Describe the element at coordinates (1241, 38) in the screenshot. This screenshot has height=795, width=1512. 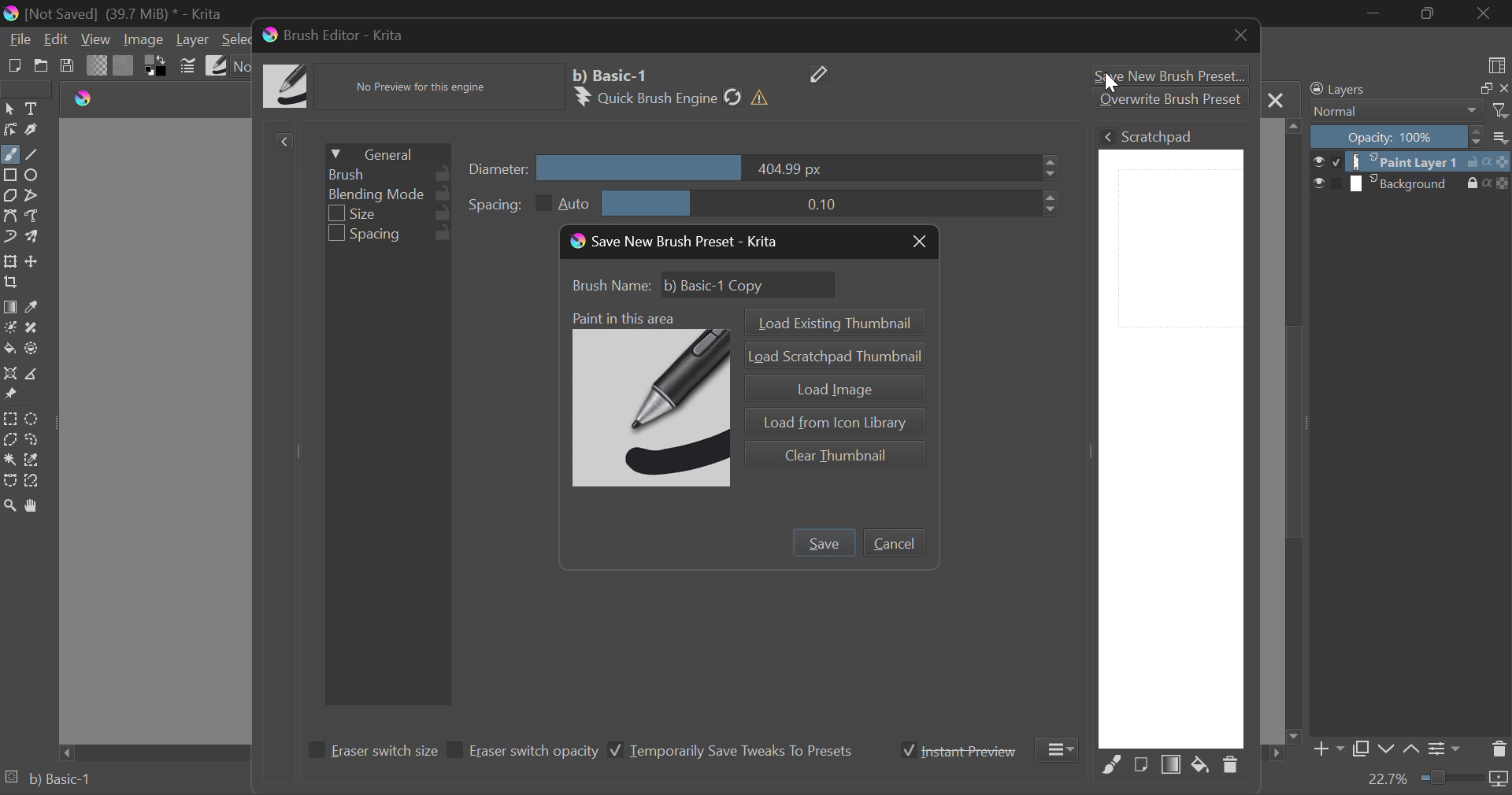
I see `Close` at that location.